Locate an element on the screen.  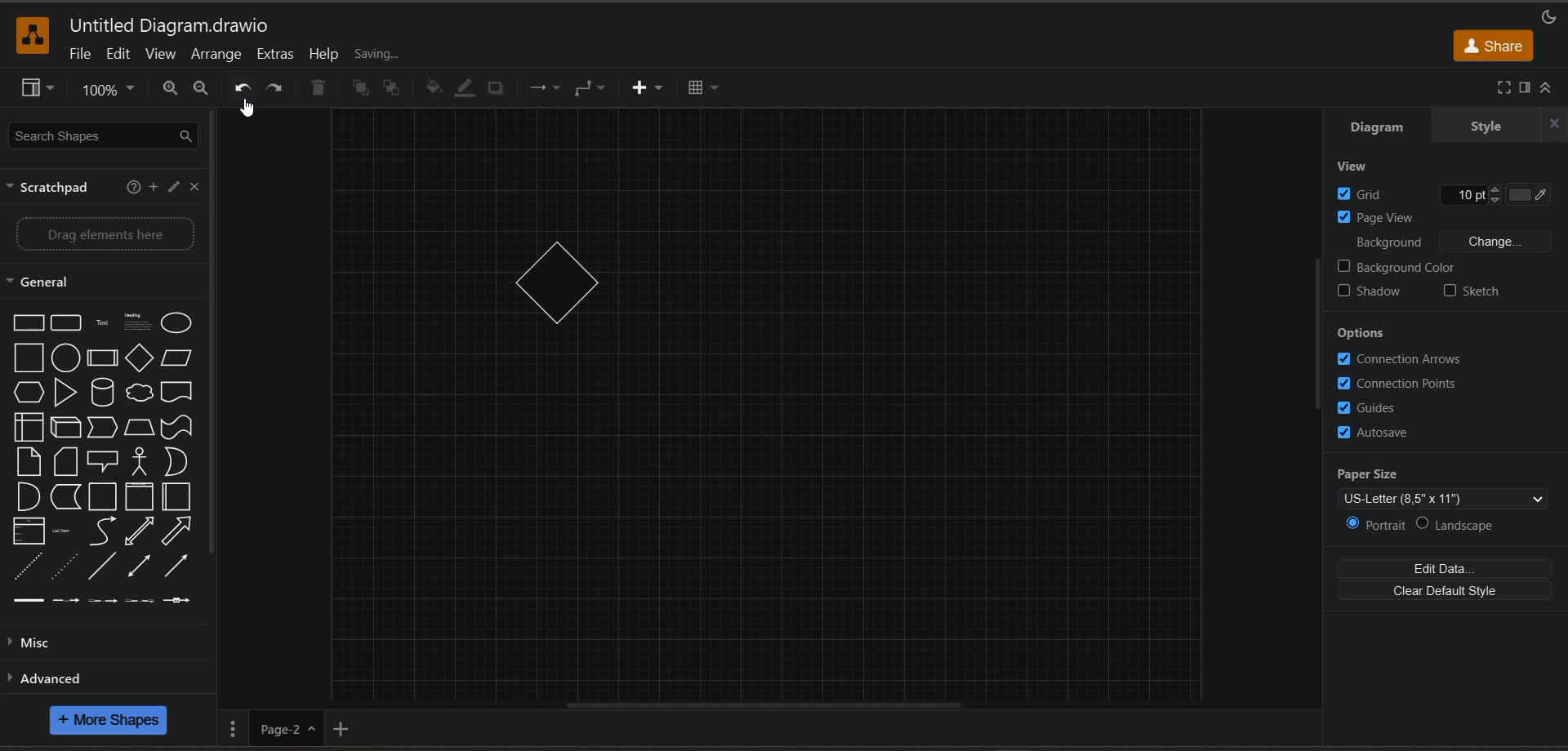
Hexagon is located at coordinates (29, 392).